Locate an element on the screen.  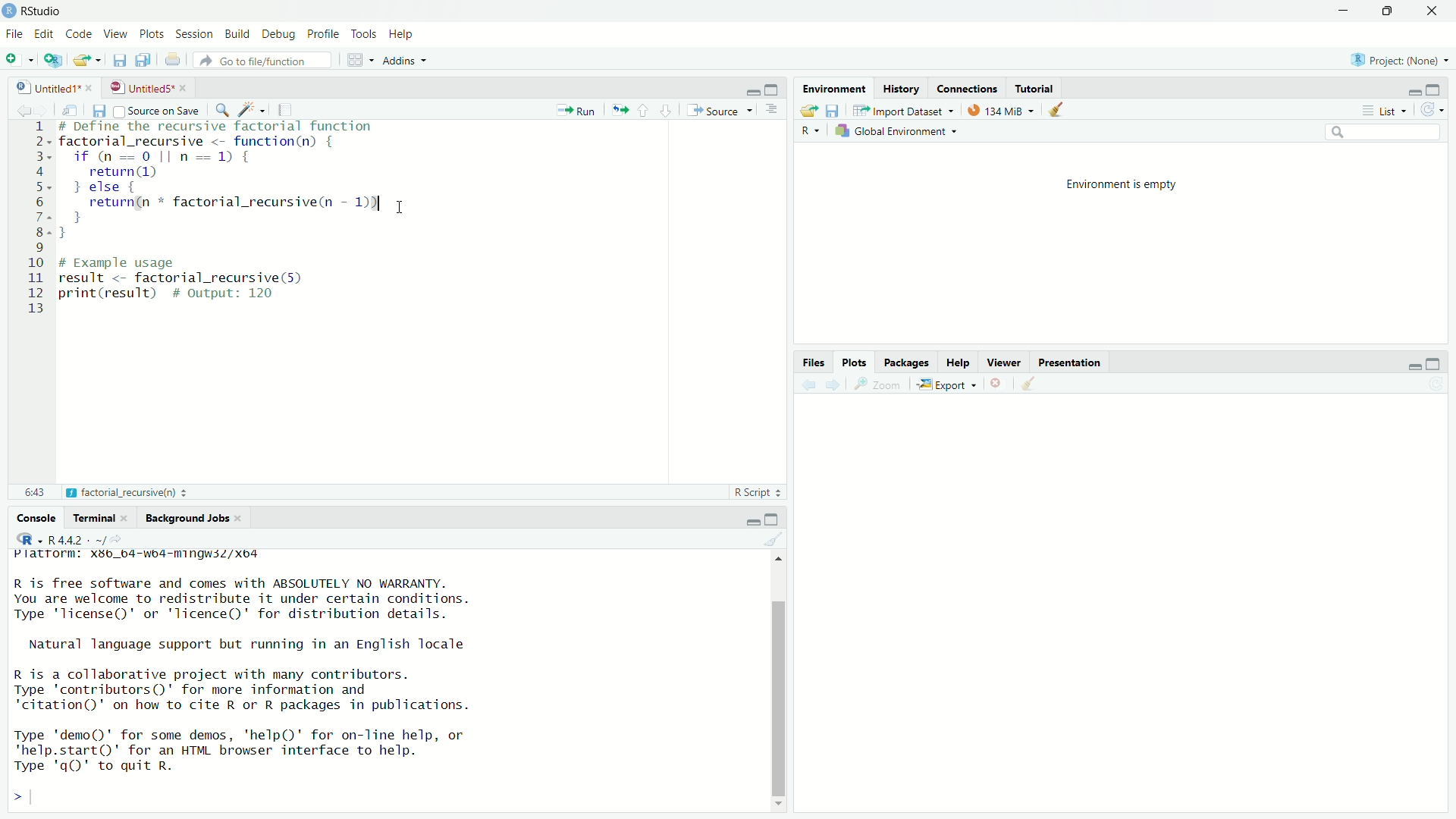
Up is located at coordinates (783, 558).